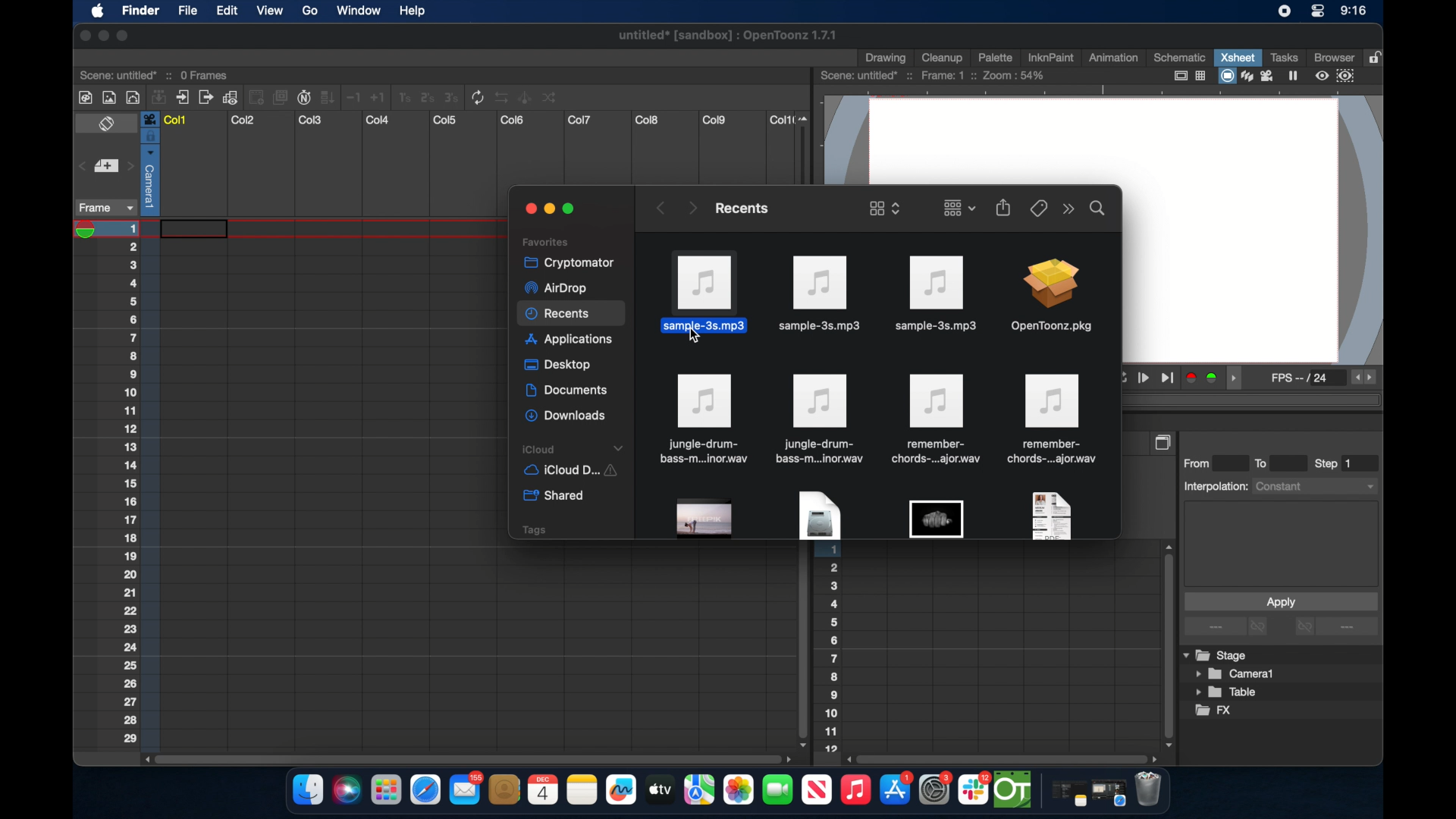 The height and width of the screenshot is (819, 1456). What do you see at coordinates (556, 496) in the screenshot?
I see `shared` at bounding box center [556, 496].